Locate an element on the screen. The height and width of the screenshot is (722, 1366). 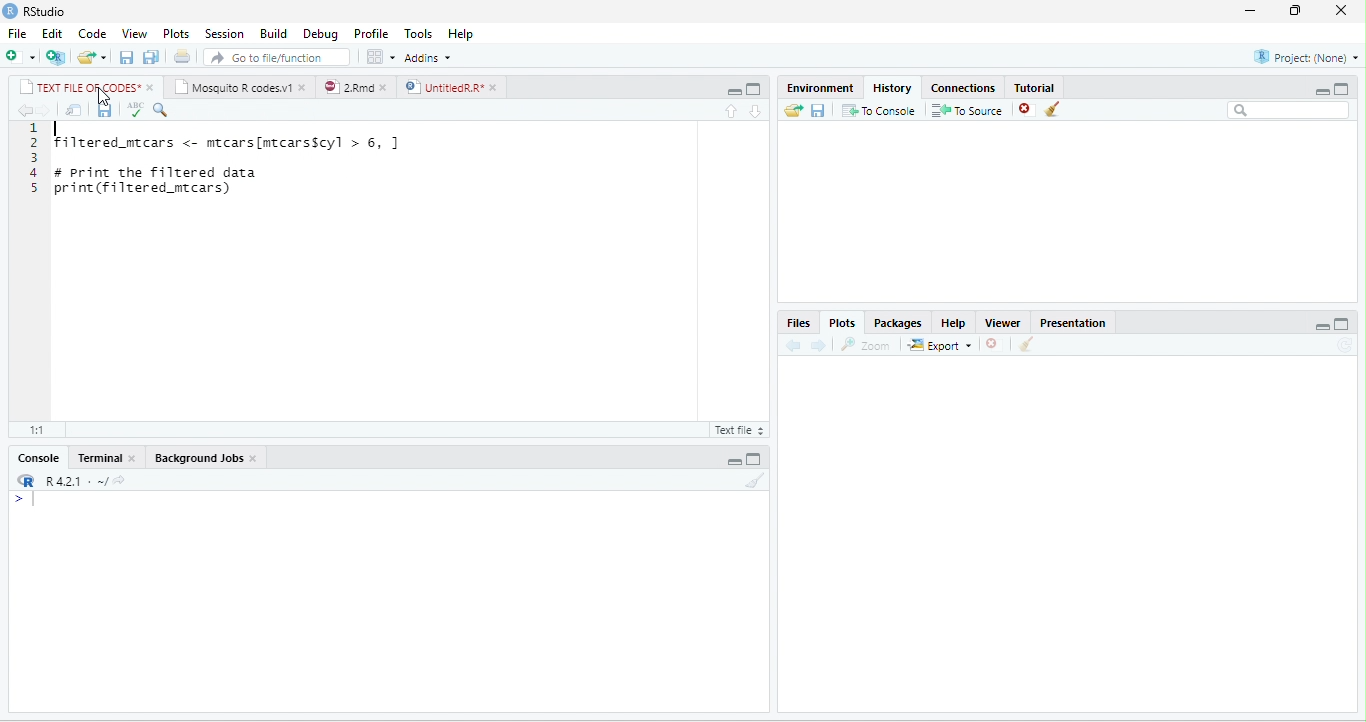
down is located at coordinates (757, 110).